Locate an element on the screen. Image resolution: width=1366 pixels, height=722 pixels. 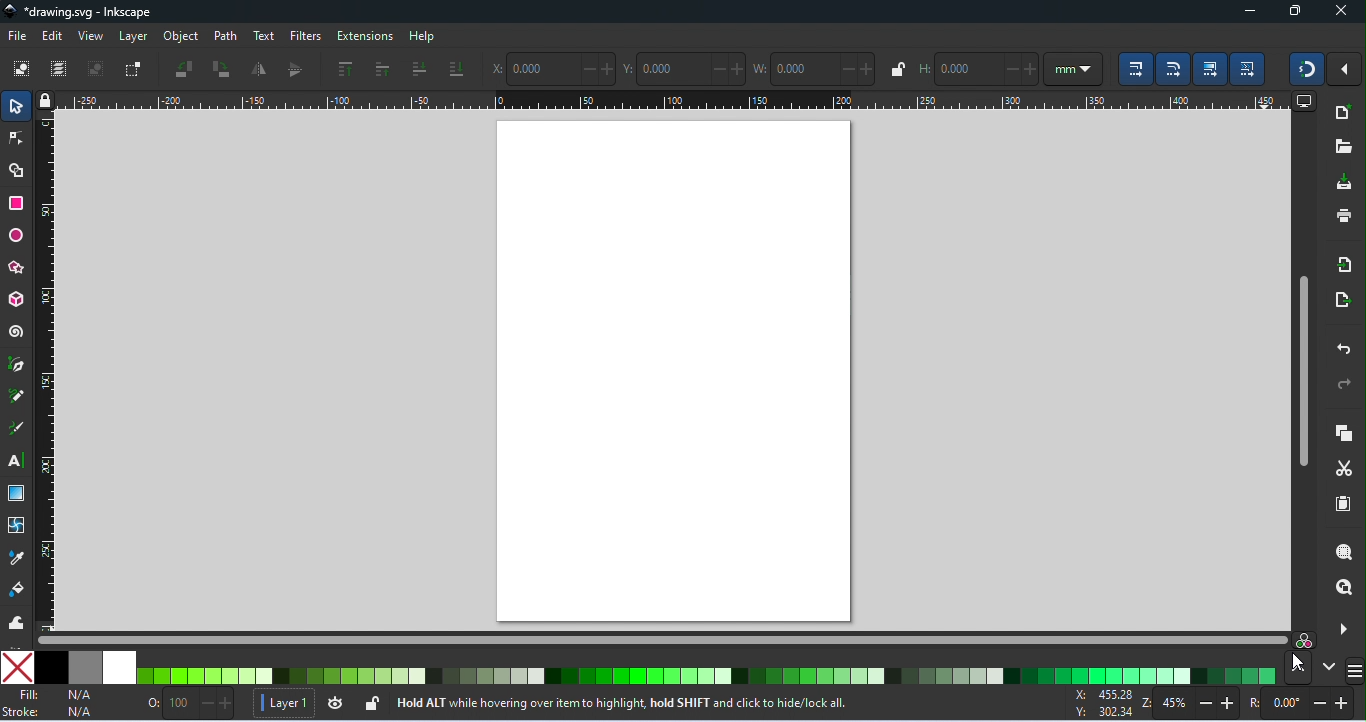
gradient is located at coordinates (17, 493).